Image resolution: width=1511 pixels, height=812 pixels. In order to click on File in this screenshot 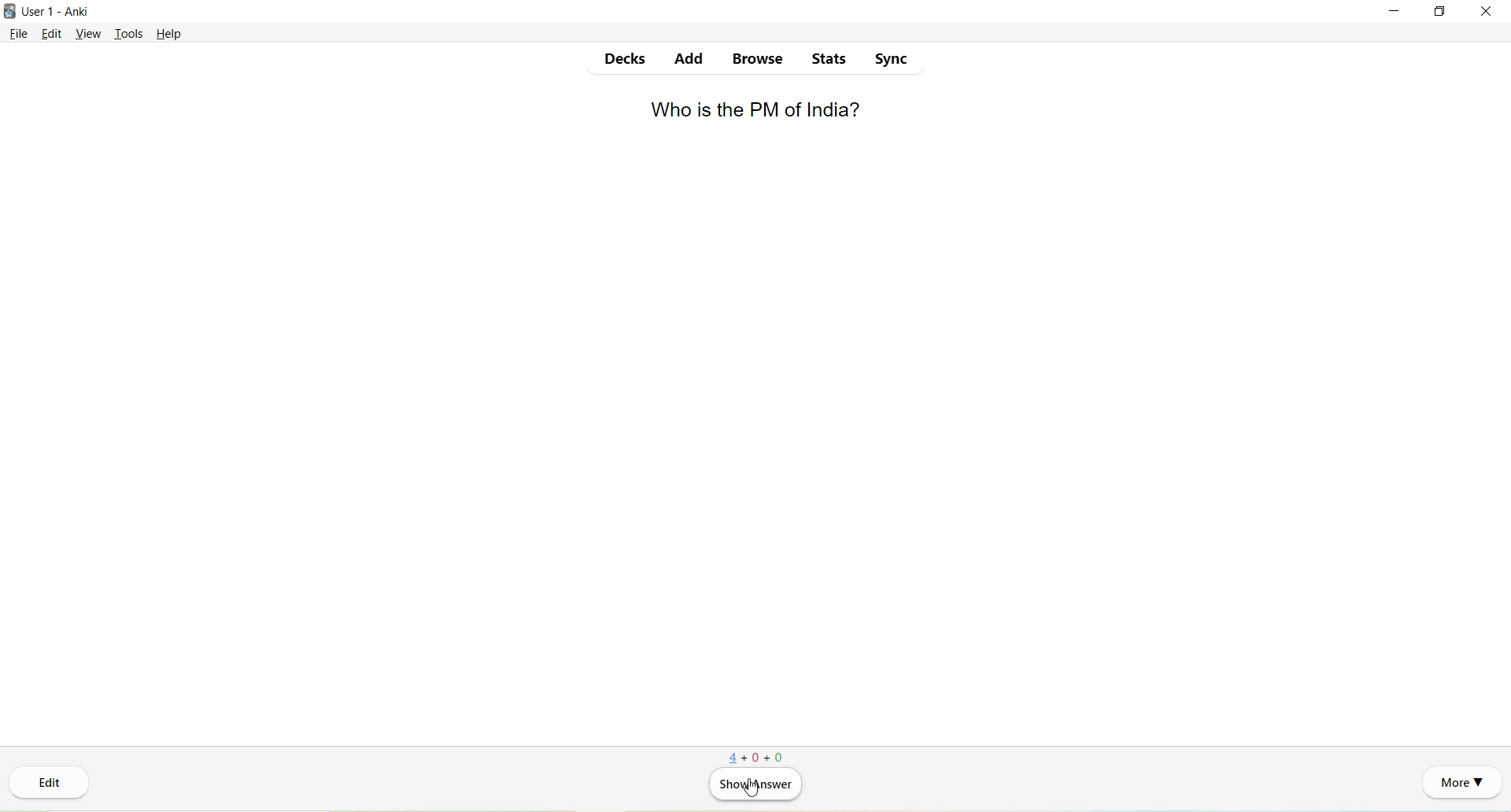, I will do `click(20, 34)`.